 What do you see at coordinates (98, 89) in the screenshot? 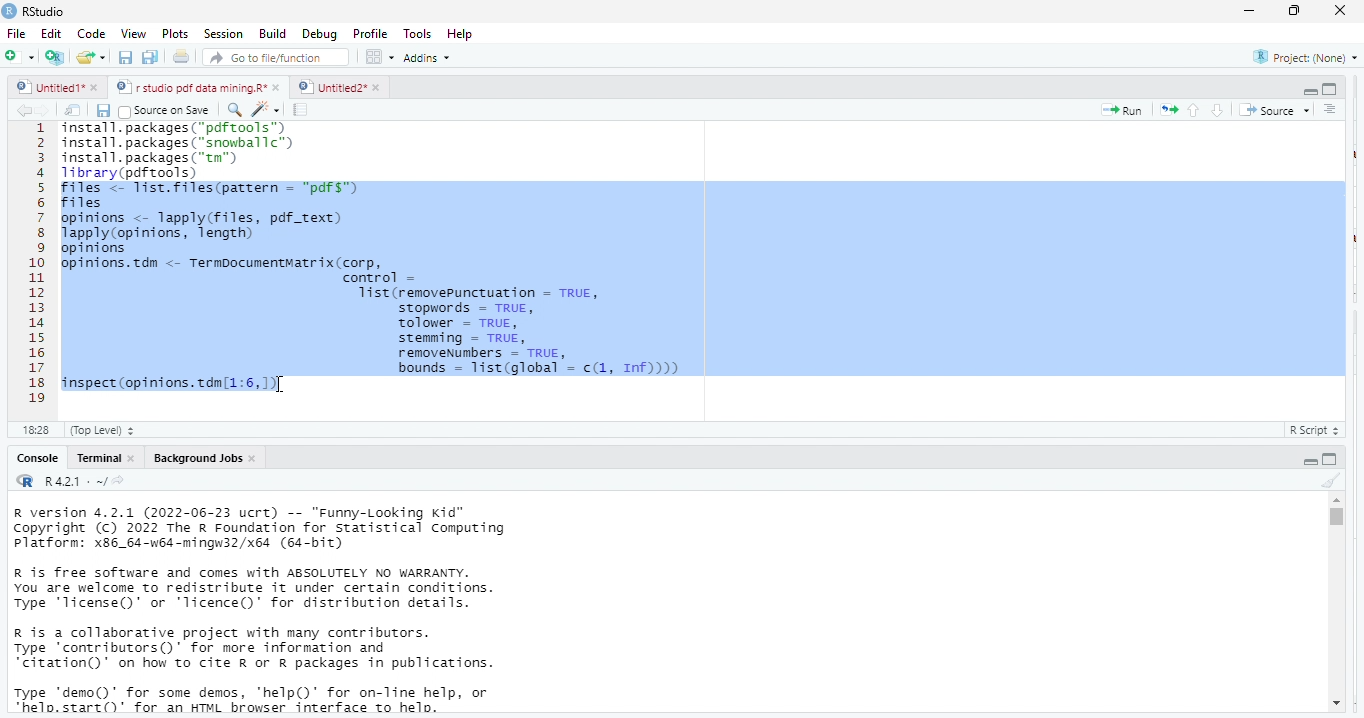
I see `close` at bounding box center [98, 89].